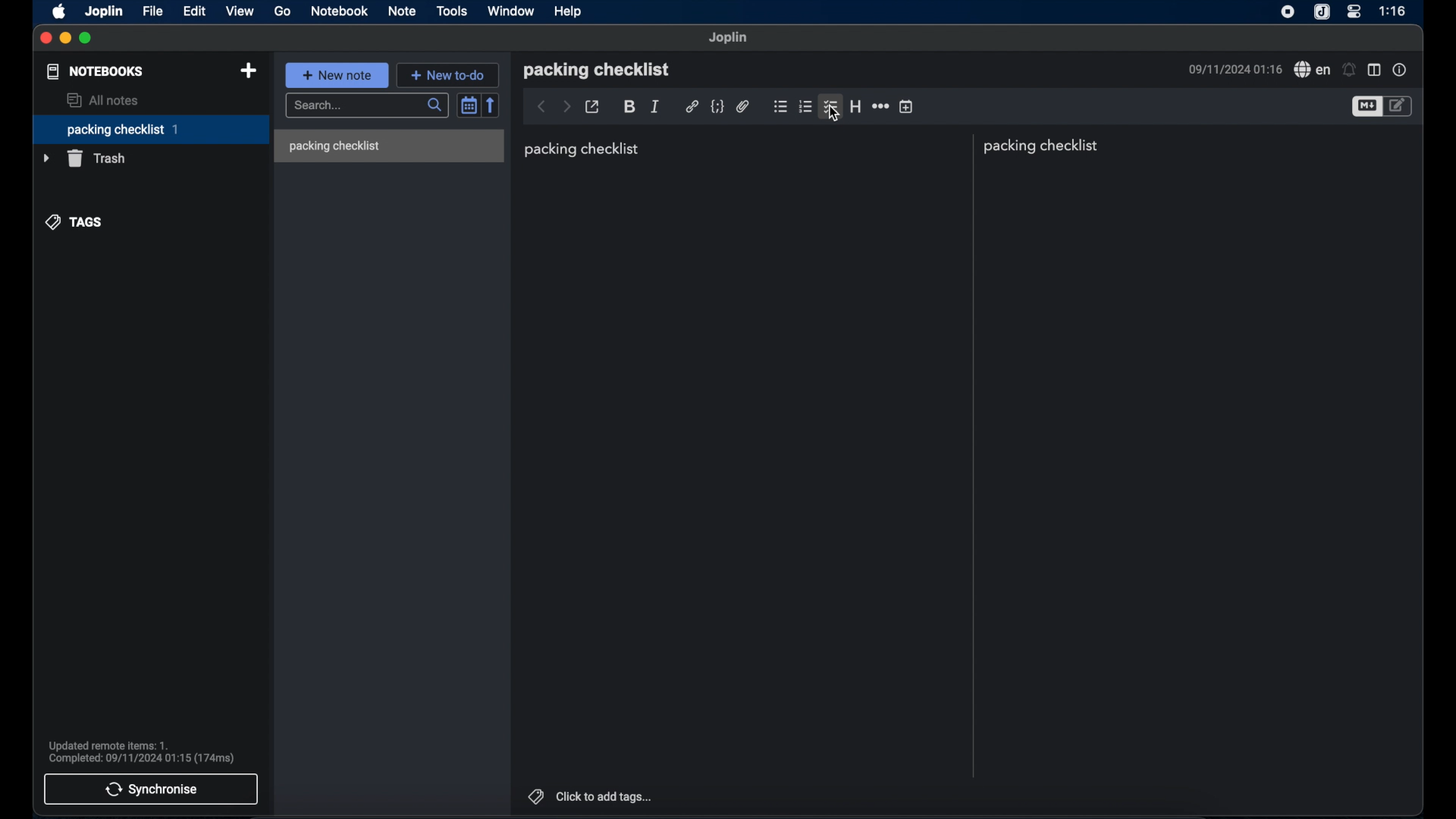 The image size is (1456, 819). I want to click on go, so click(282, 11).